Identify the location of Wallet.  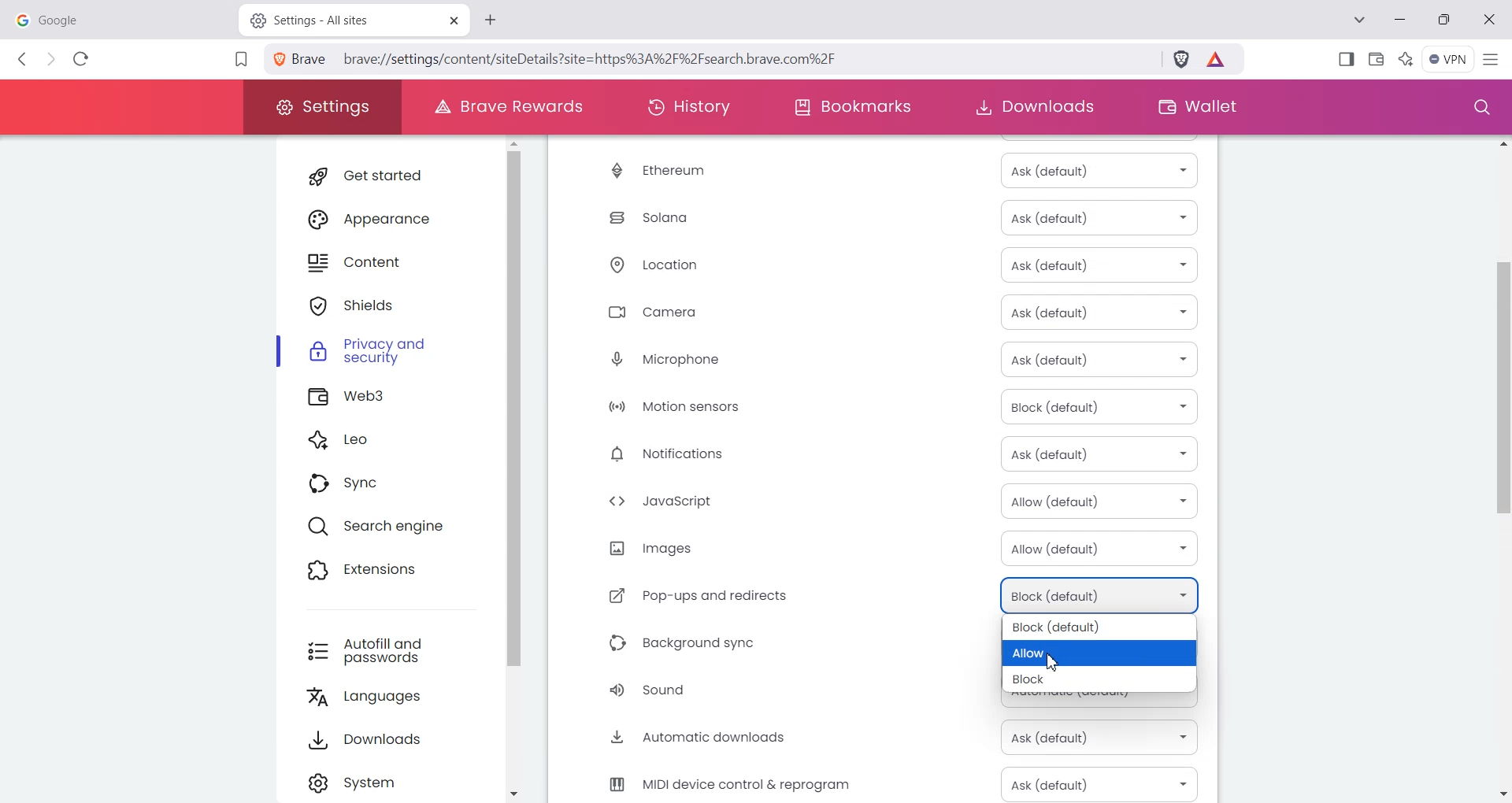
(1377, 57).